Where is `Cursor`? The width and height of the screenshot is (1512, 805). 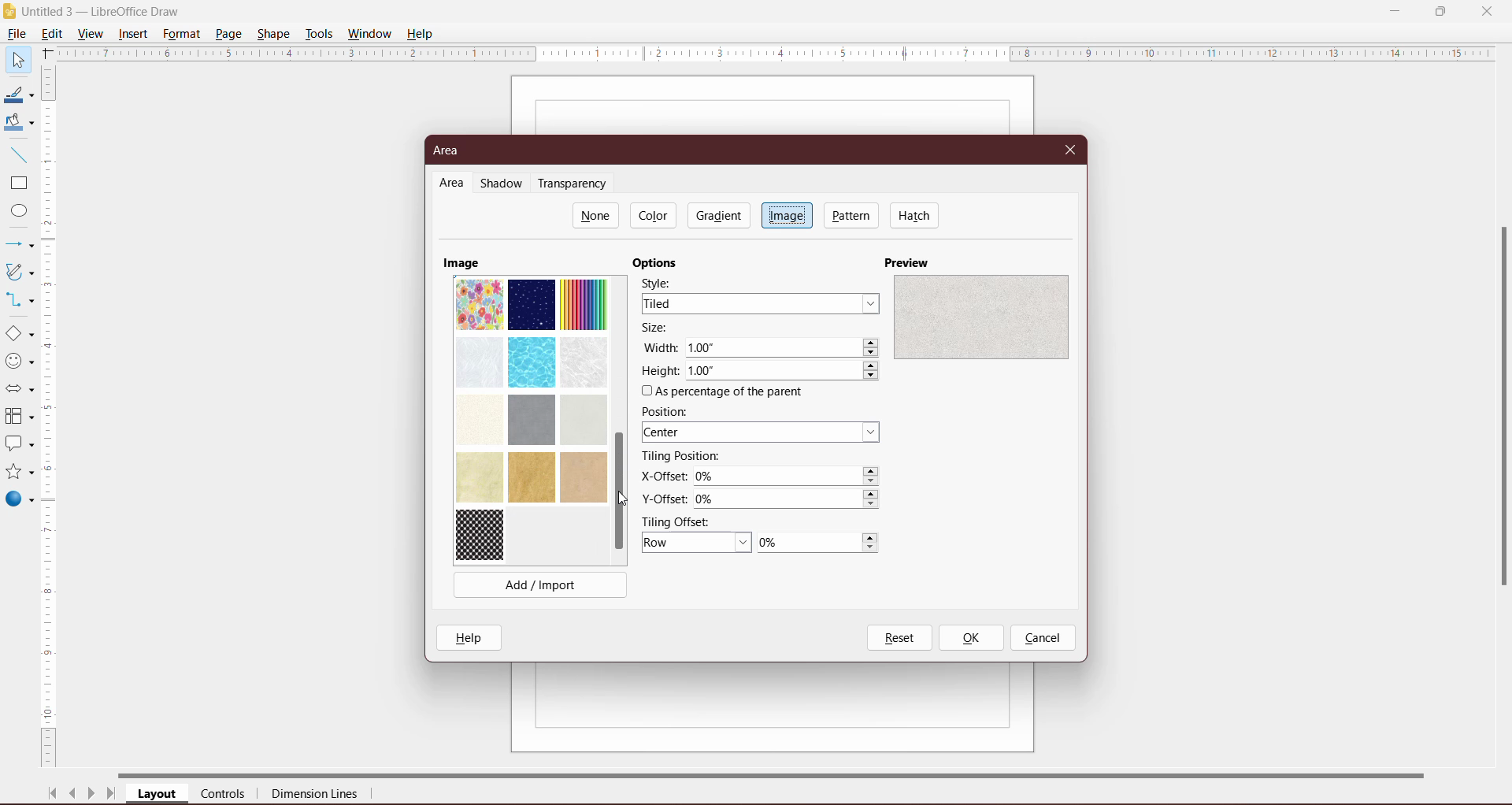 Cursor is located at coordinates (628, 500).